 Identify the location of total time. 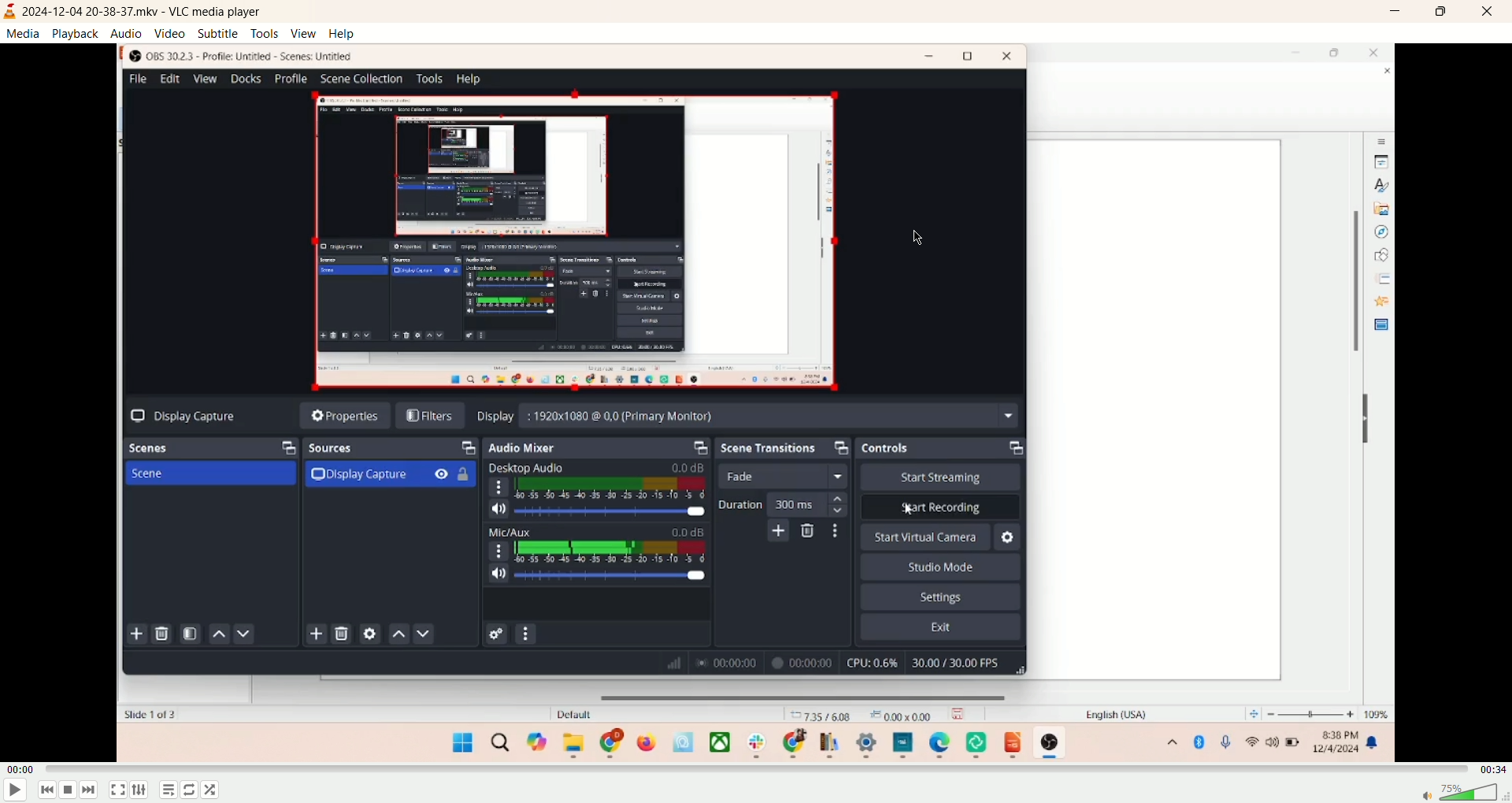
(1494, 768).